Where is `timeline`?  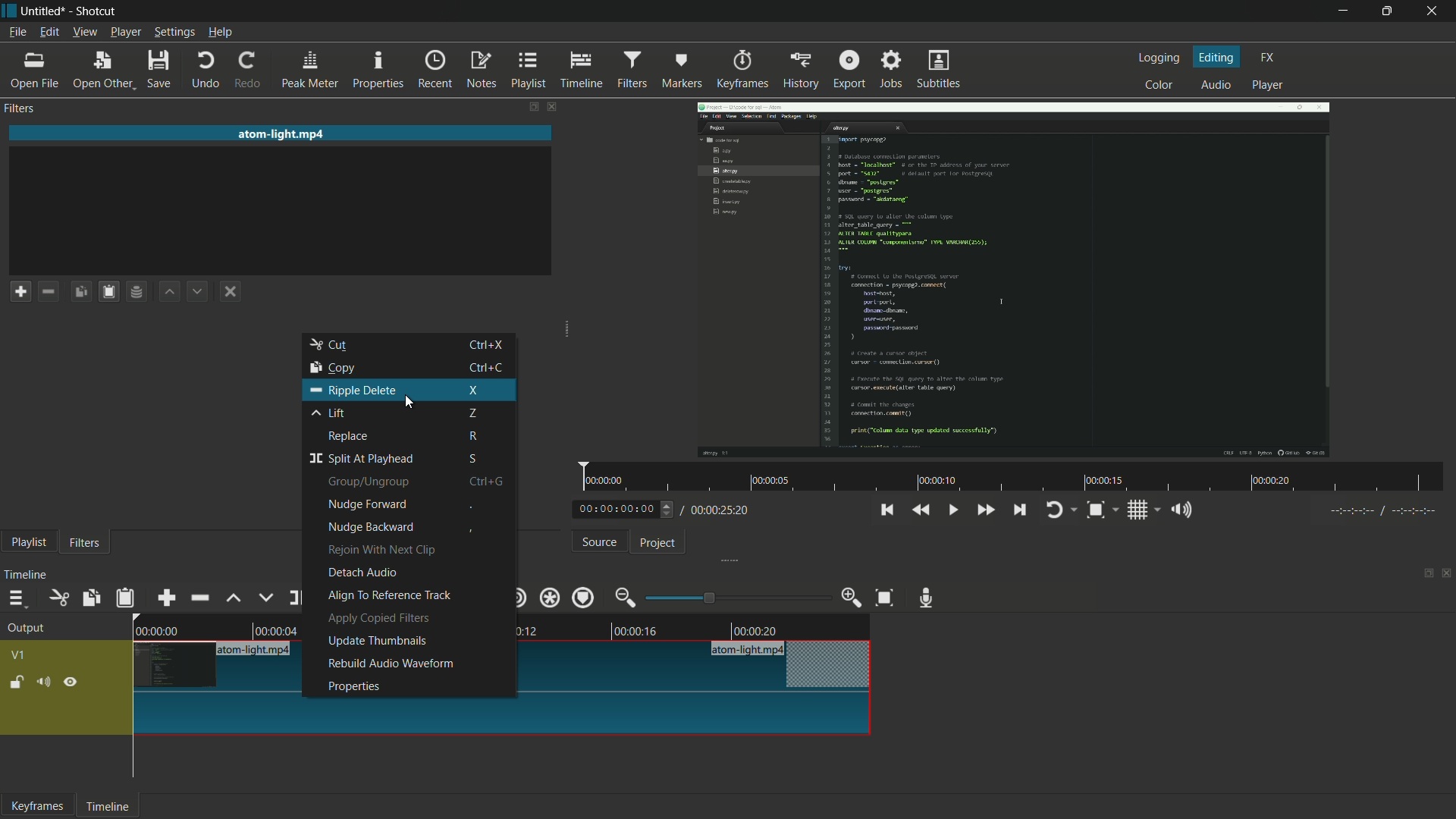
timeline is located at coordinates (582, 71).